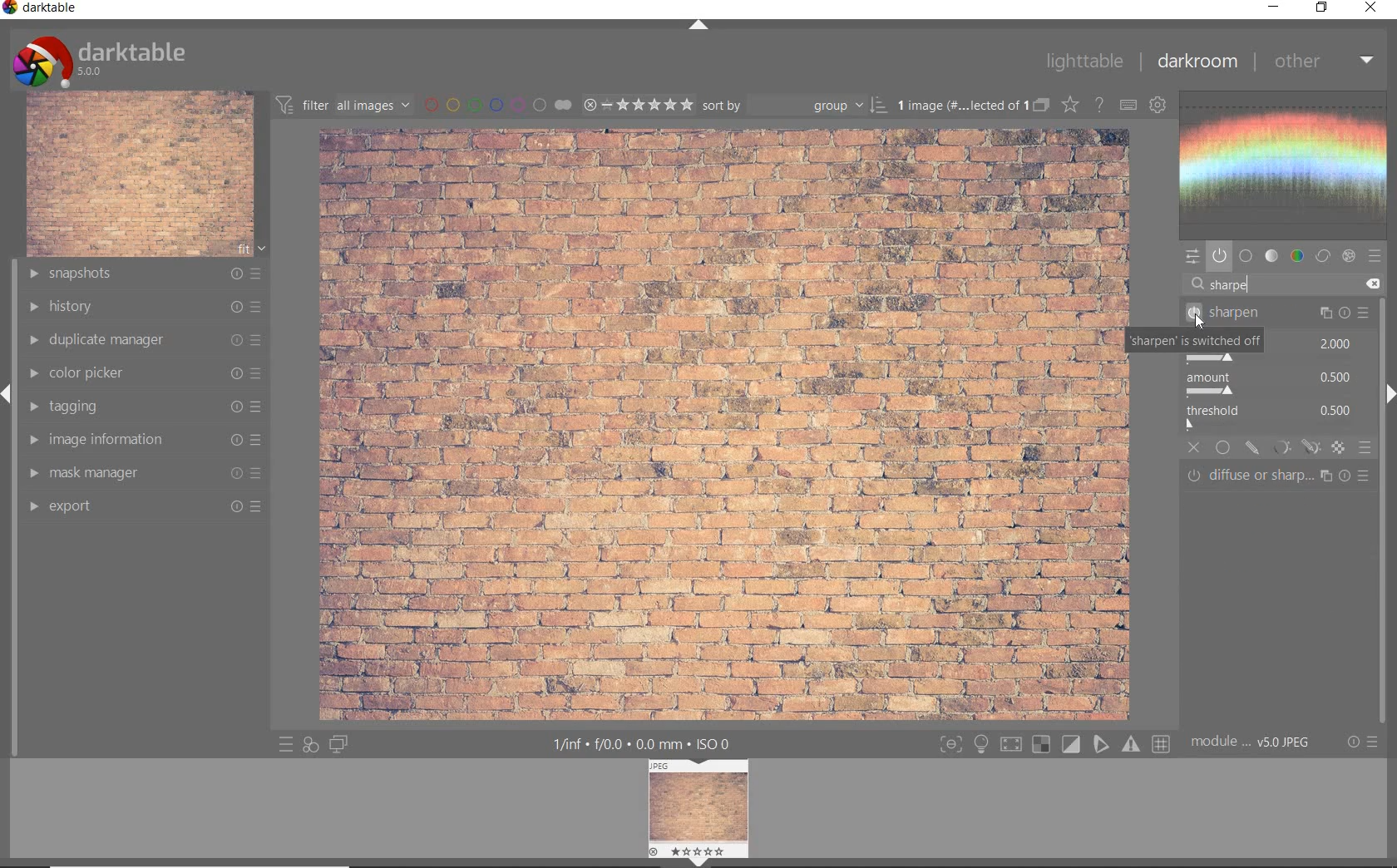 This screenshot has width=1397, height=868. Describe the element at coordinates (144, 472) in the screenshot. I see `mask manager` at that location.